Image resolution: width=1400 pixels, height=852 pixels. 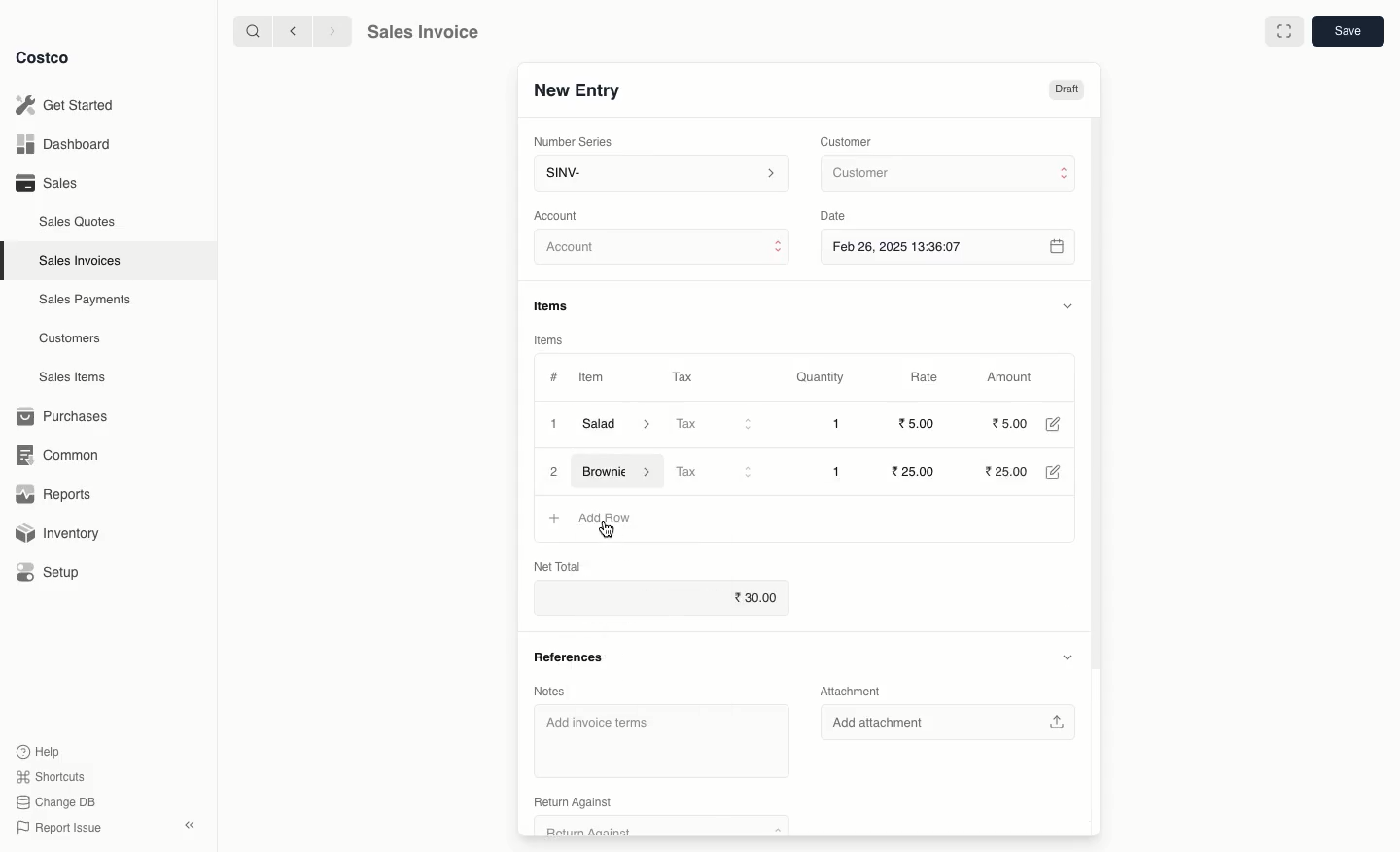 What do you see at coordinates (611, 532) in the screenshot?
I see `cursor` at bounding box center [611, 532].